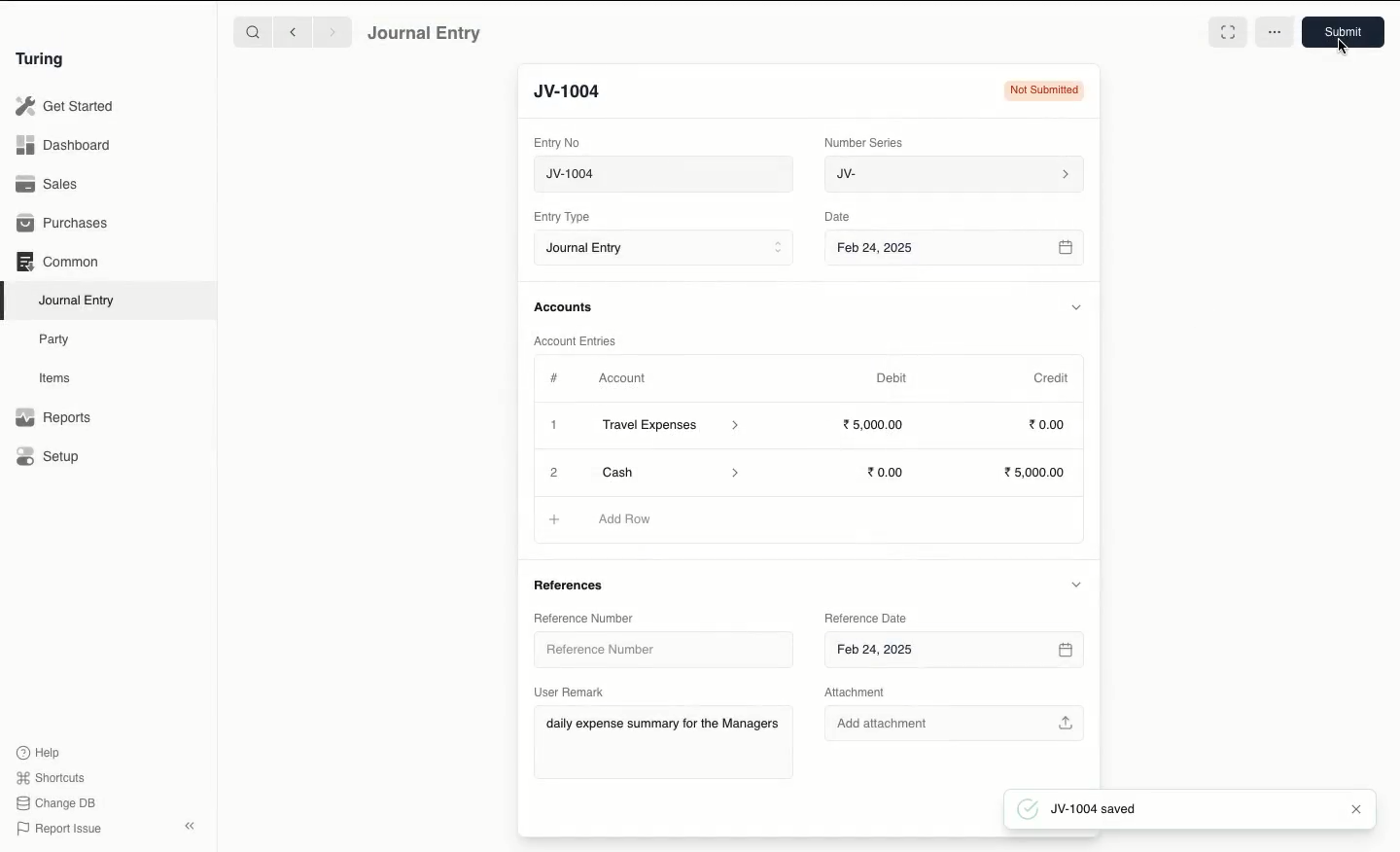 This screenshot has width=1400, height=852. I want to click on Shortcuts, so click(53, 778).